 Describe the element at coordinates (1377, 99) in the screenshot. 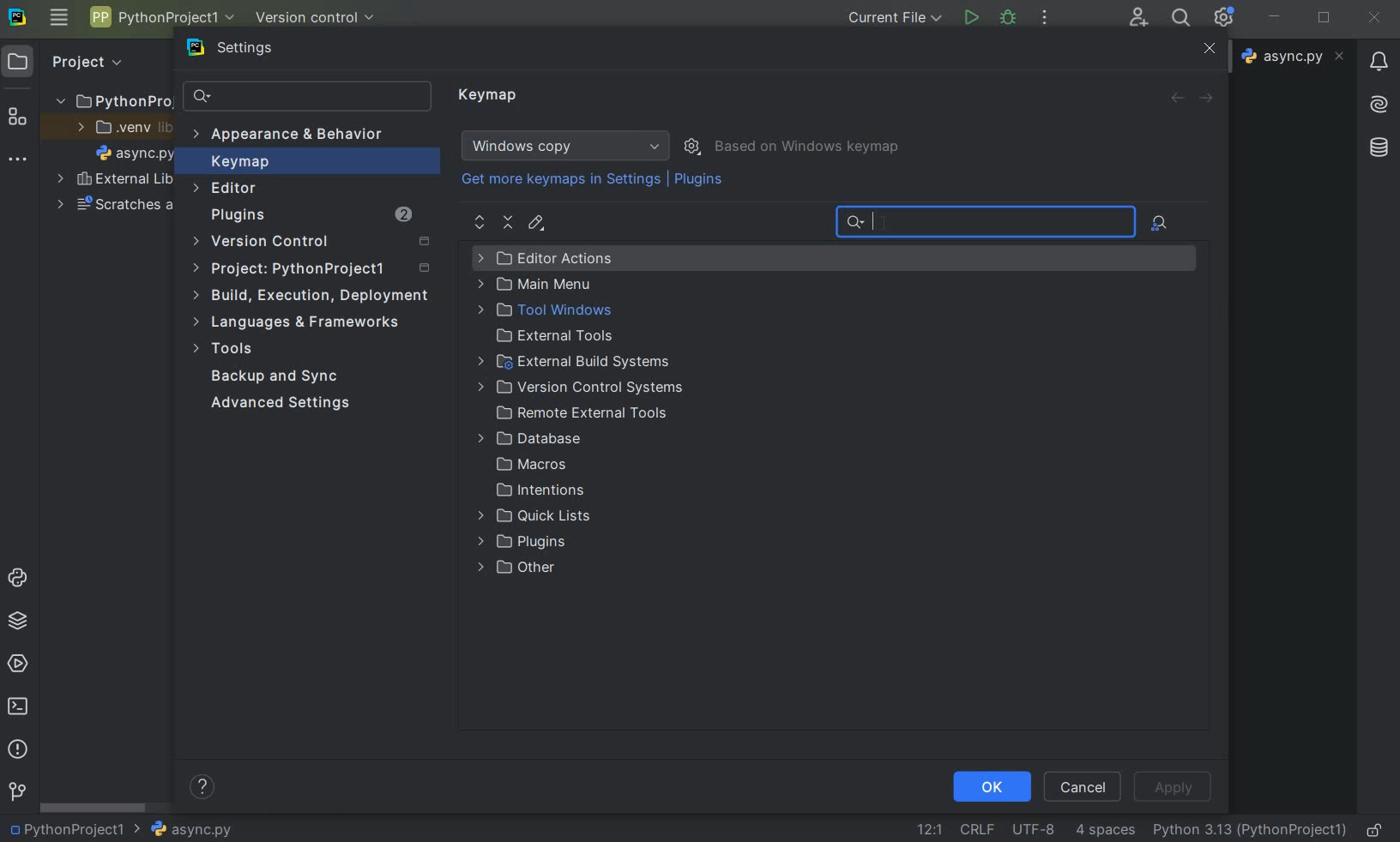

I see `AI asistant` at that location.